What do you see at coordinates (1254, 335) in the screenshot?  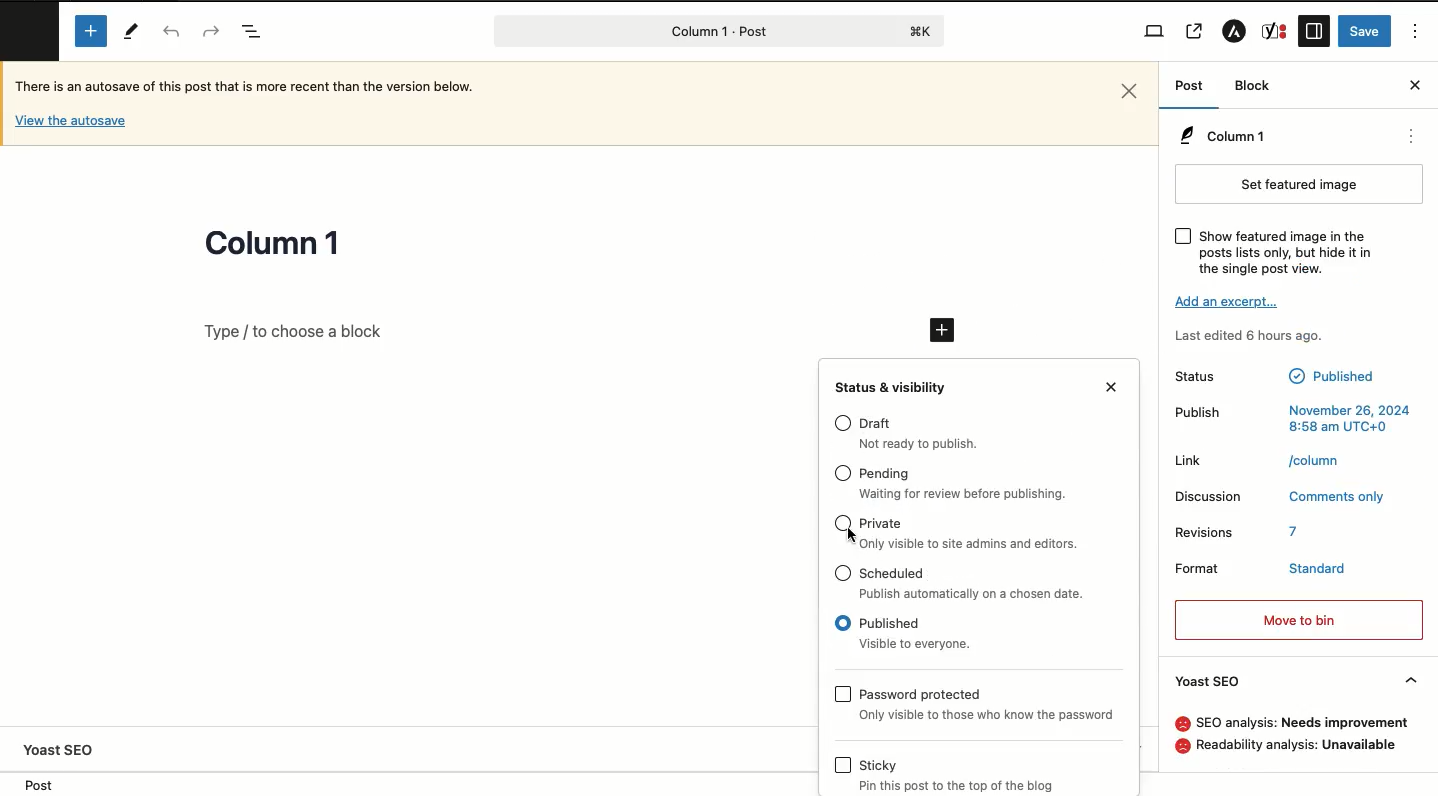 I see `Last edited` at bounding box center [1254, 335].